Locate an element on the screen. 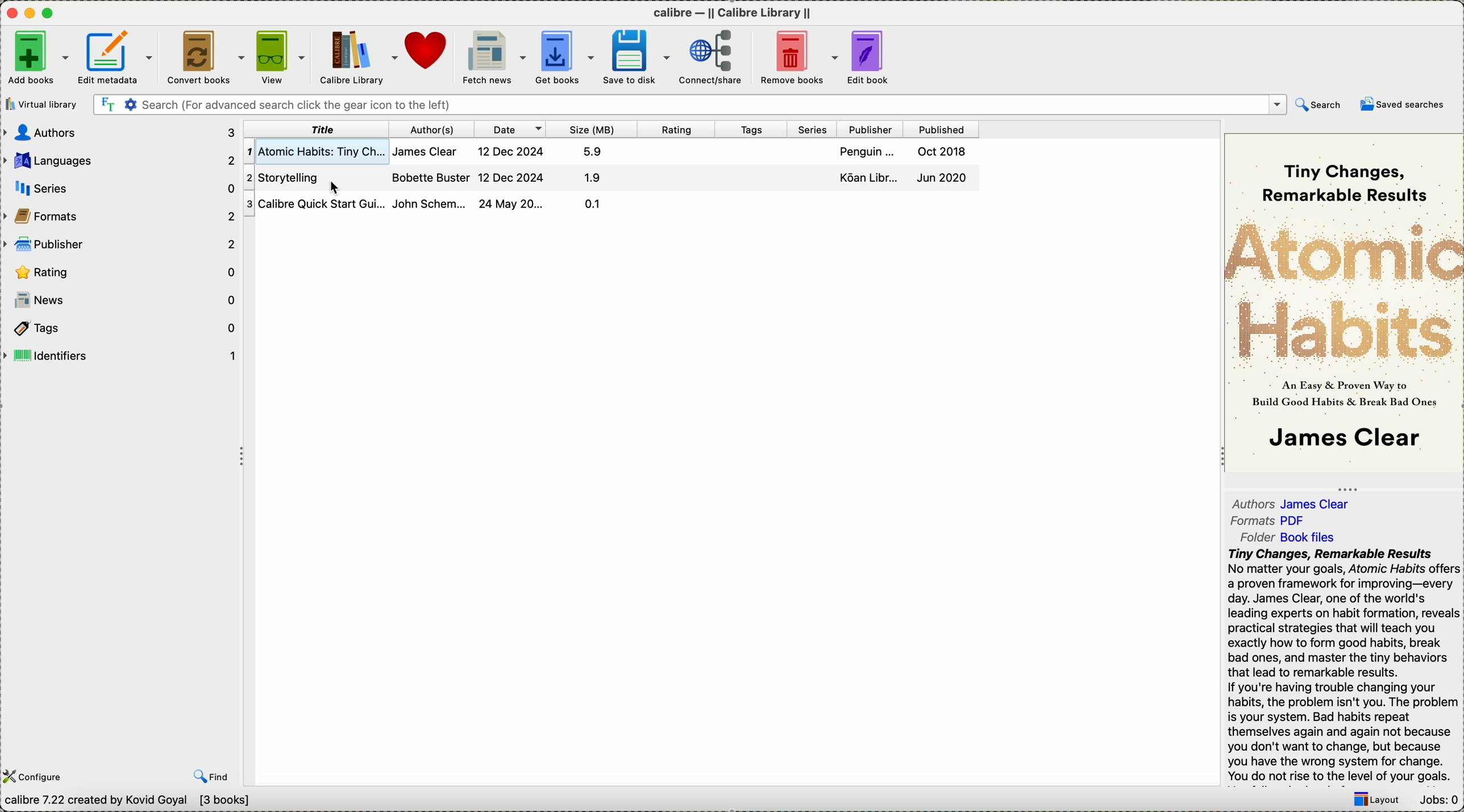 The image size is (1464, 812). search bar is located at coordinates (690, 105).